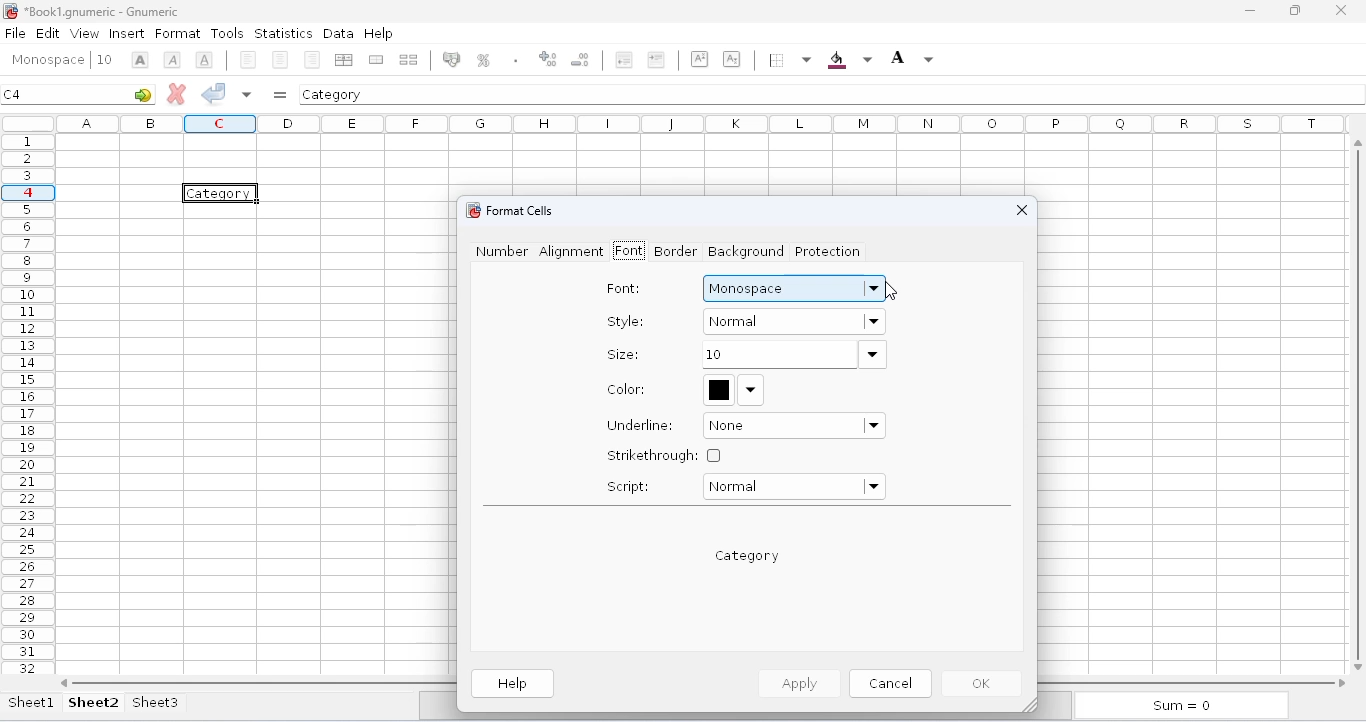 The image size is (1366, 722). Describe the element at coordinates (471, 210) in the screenshot. I see `logo` at that location.